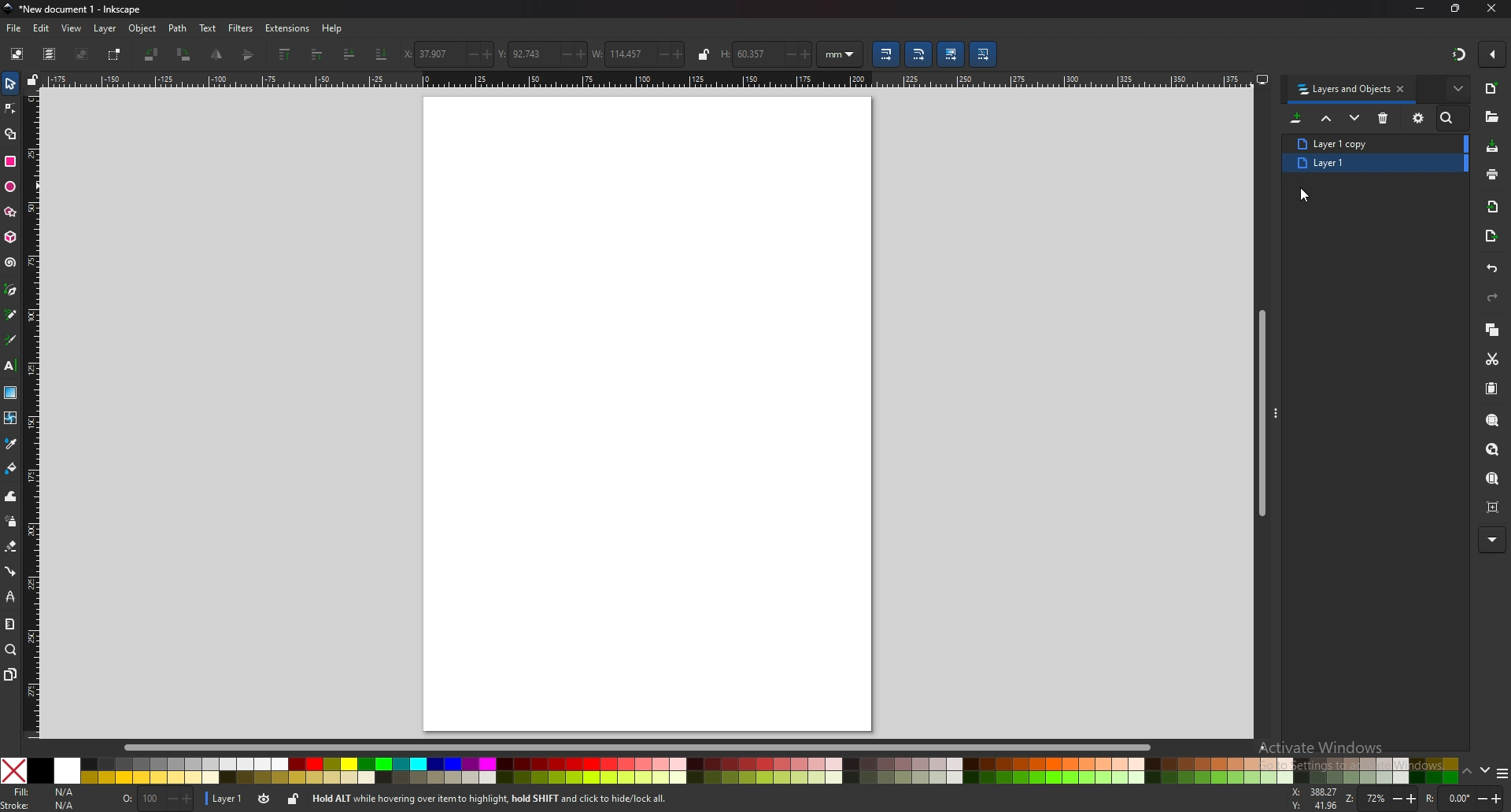 Image resolution: width=1511 pixels, height=812 pixels. What do you see at coordinates (1460, 54) in the screenshot?
I see `snapping` at bounding box center [1460, 54].